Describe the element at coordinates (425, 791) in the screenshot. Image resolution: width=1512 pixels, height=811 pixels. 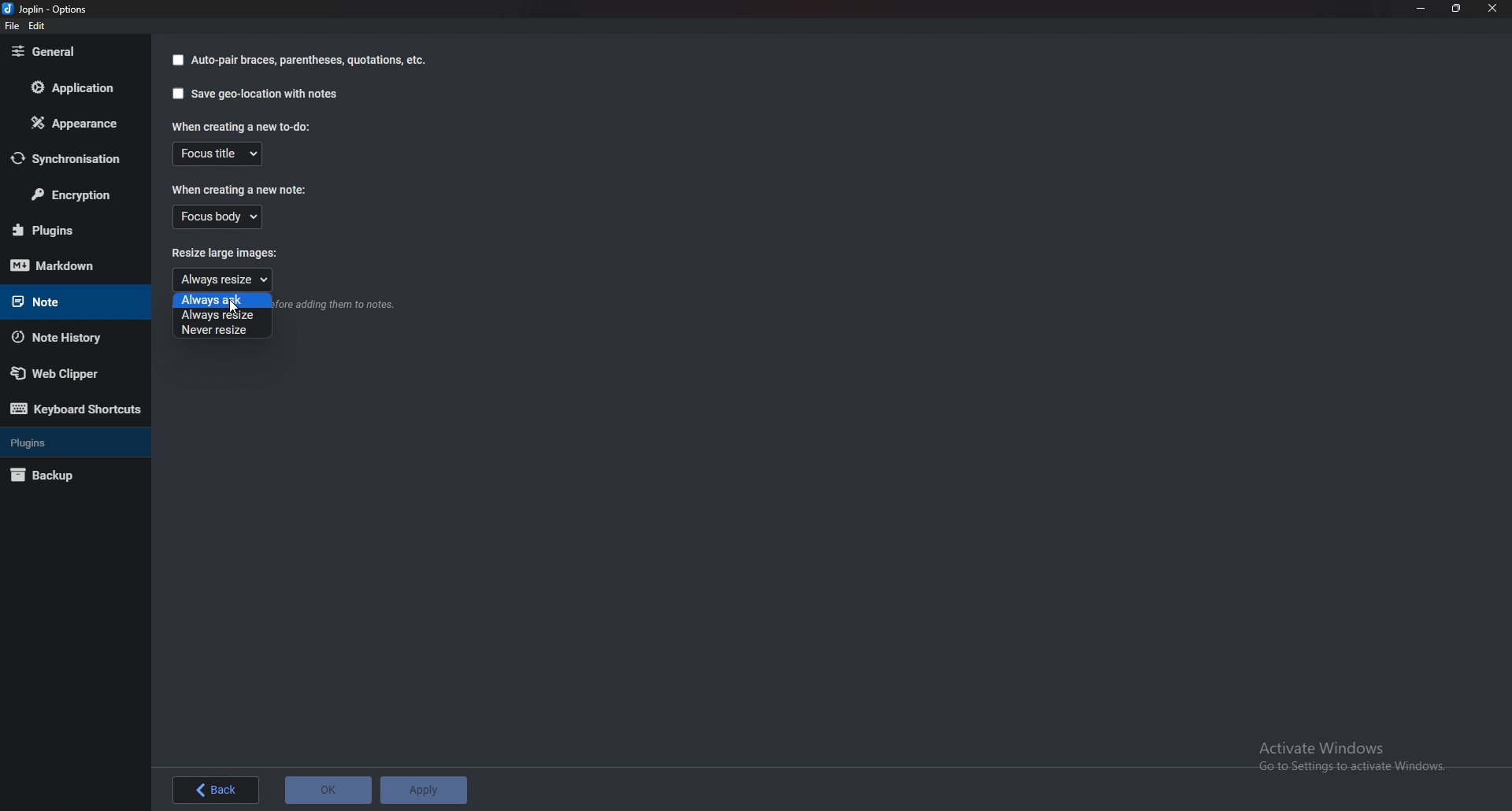
I see `Apply` at that location.